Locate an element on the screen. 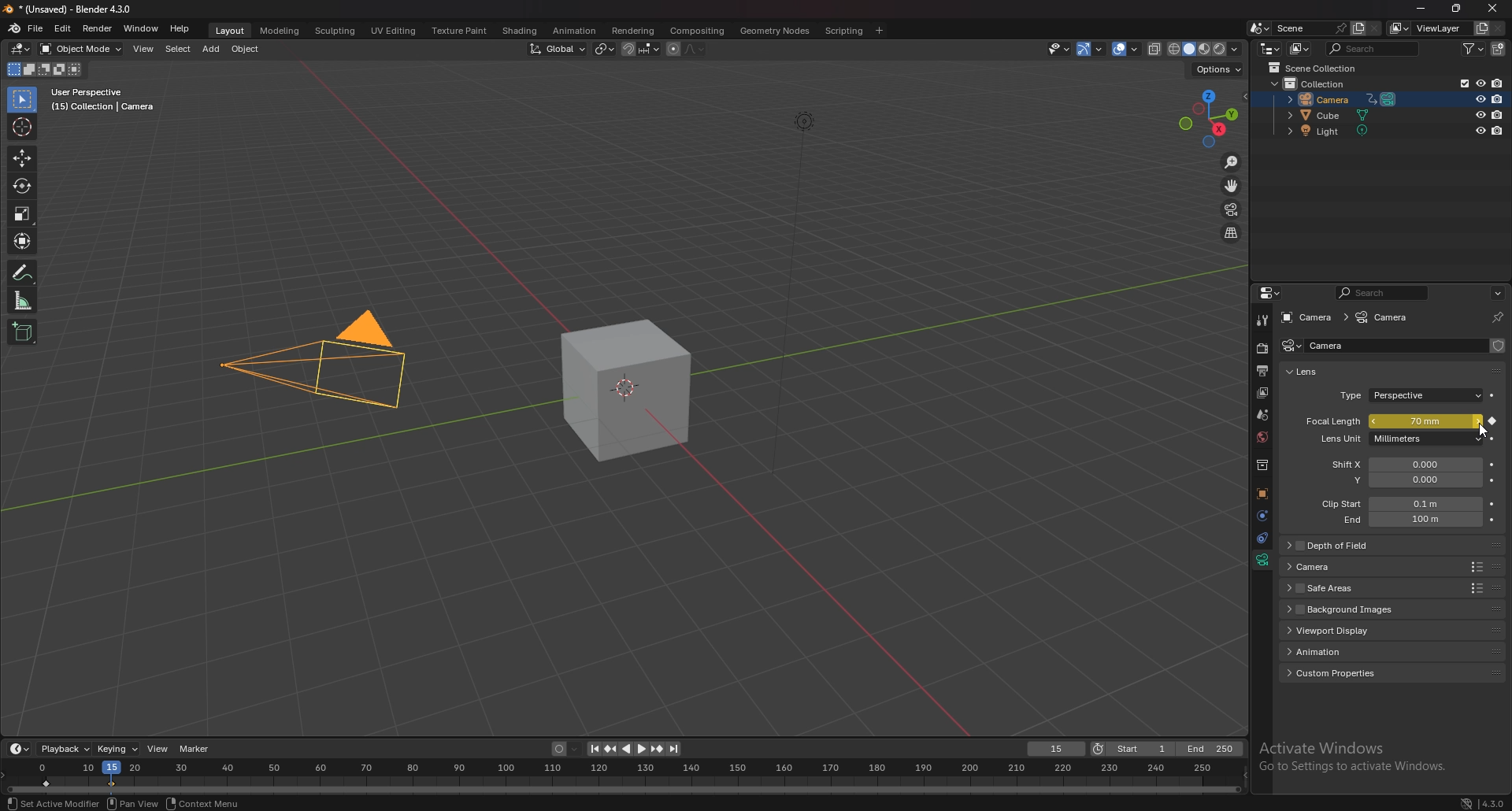 This screenshot has height=811, width=1512. hide in viewport is located at coordinates (1478, 100).